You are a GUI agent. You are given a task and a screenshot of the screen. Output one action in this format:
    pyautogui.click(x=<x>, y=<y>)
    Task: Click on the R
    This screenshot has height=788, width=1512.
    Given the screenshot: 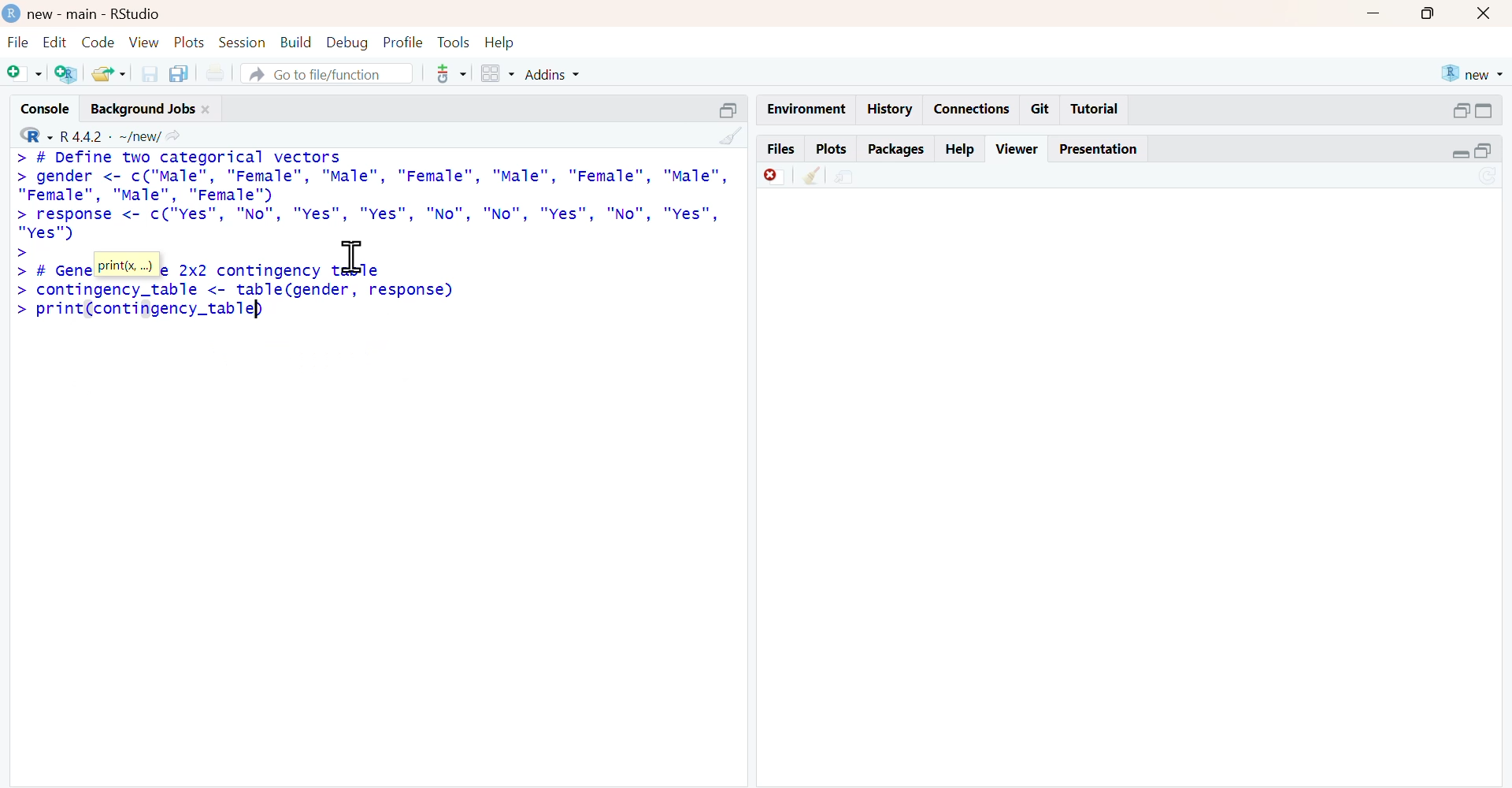 What is the action you would take?
    pyautogui.click(x=37, y=135)
    